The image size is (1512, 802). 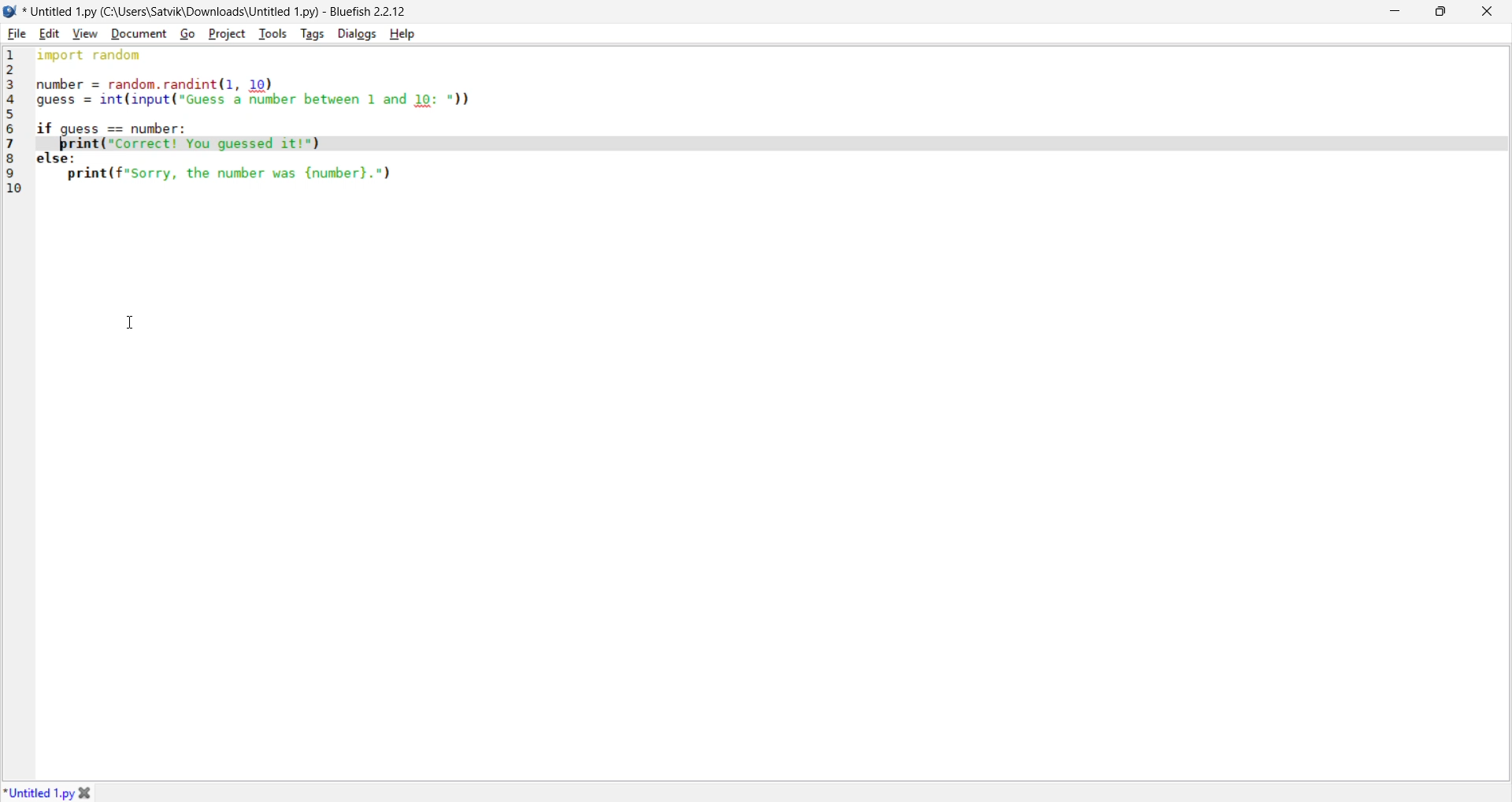 I want to click on 1 import random 2 number = random.randint(1, 10) 3 guess = int(input(“Guess a number between 1 and 10: ")) 5 6 if guess == number:, so click(x=272, y=91).